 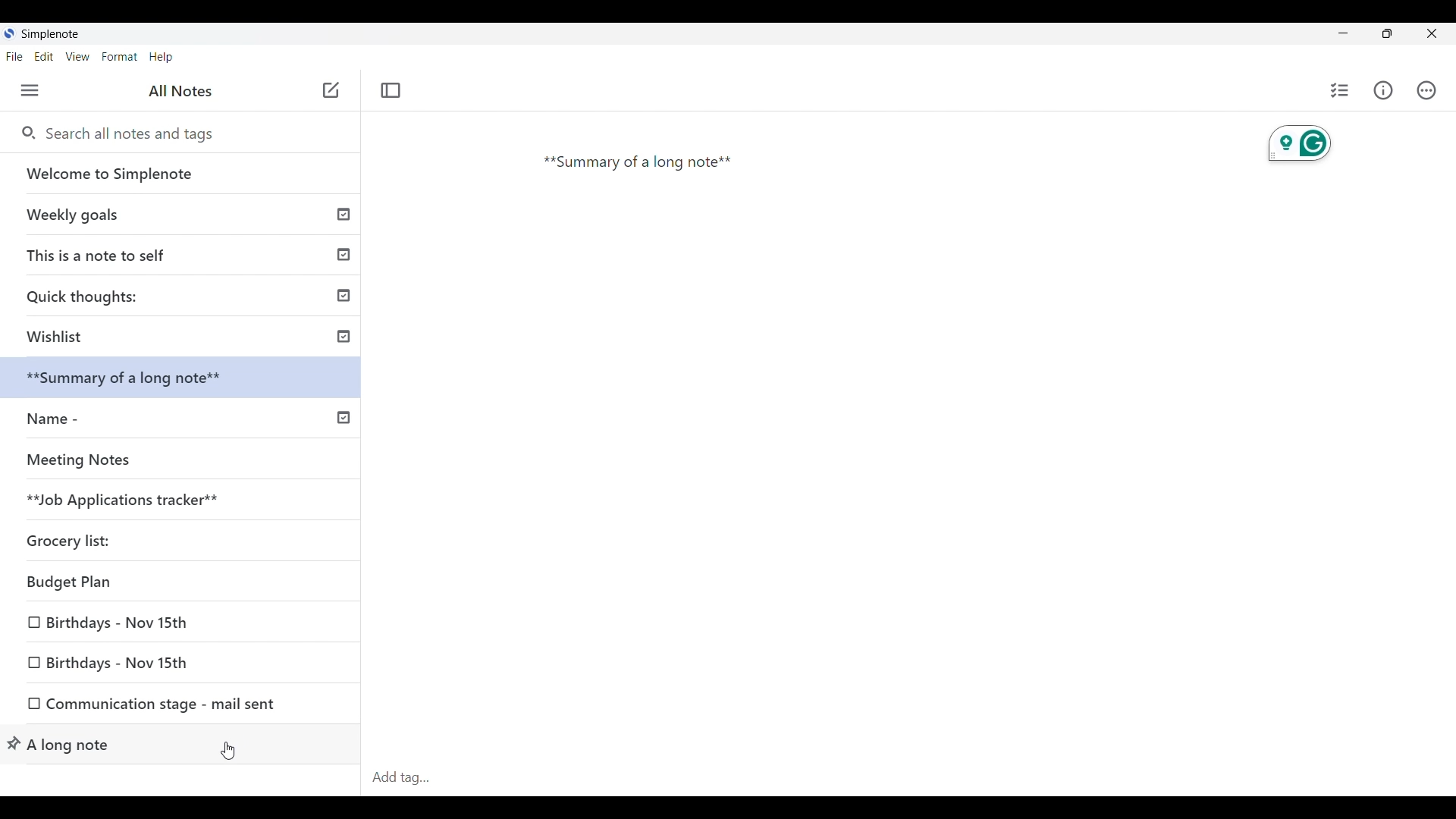 I want to click on Welcome to Simplenote, so click(x=182, y=174).